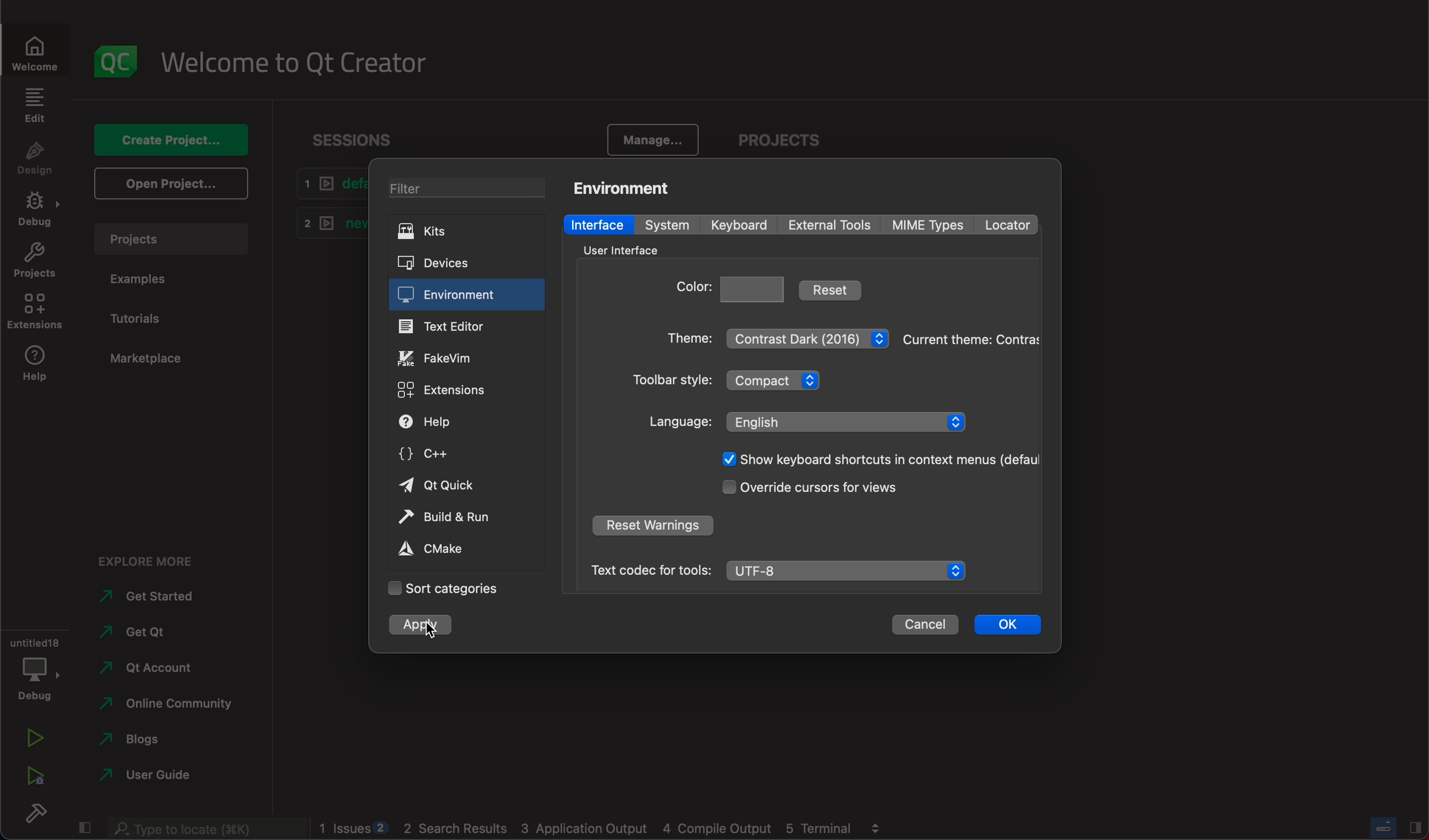 This screenshot has width=1429, height=840. What do you see at coordinates (175, 142) in the screenshot?
I see `create` at bounding box center [175, 142].